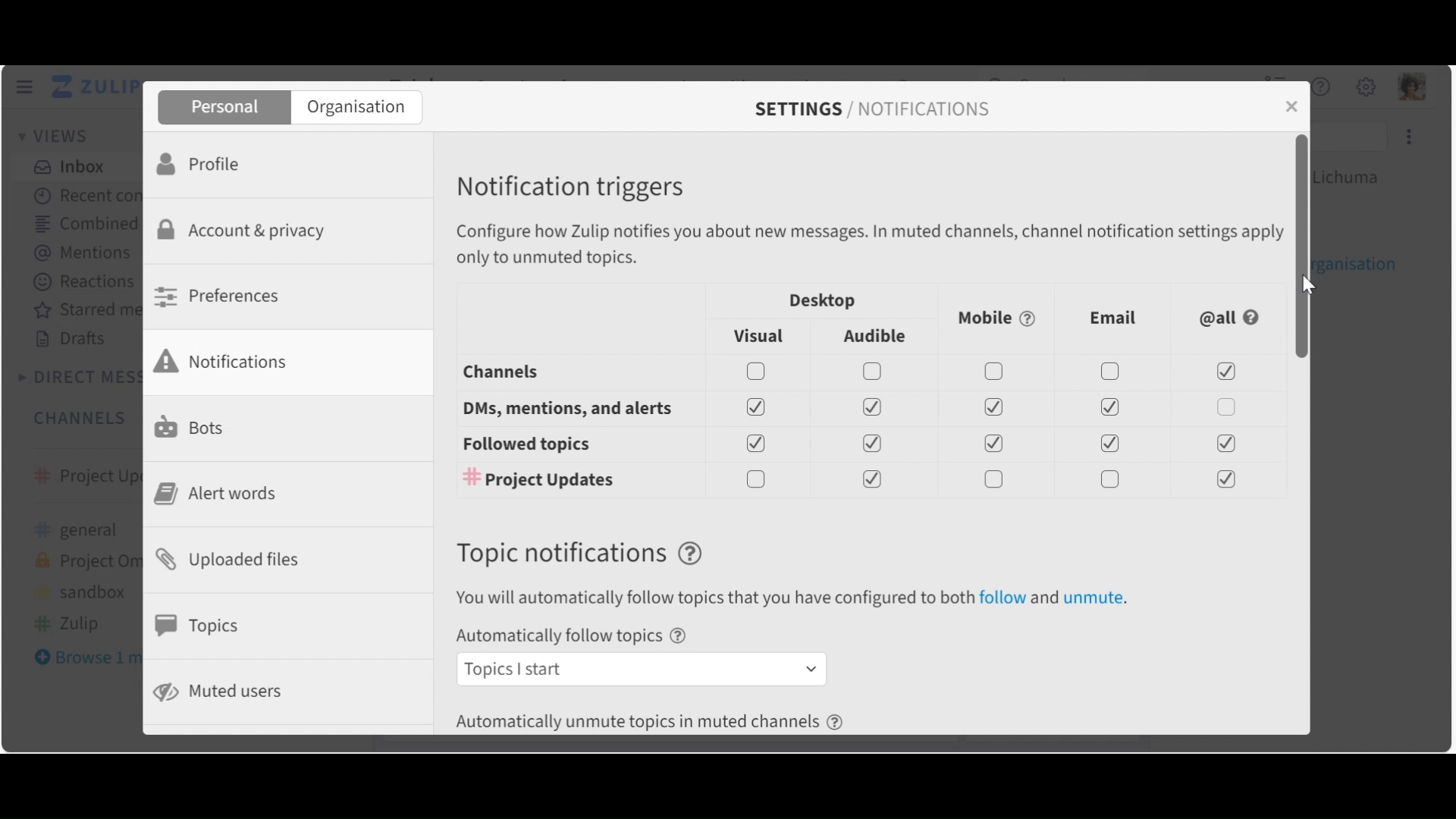  I want to click on Uploaded files, so click(235, 558).